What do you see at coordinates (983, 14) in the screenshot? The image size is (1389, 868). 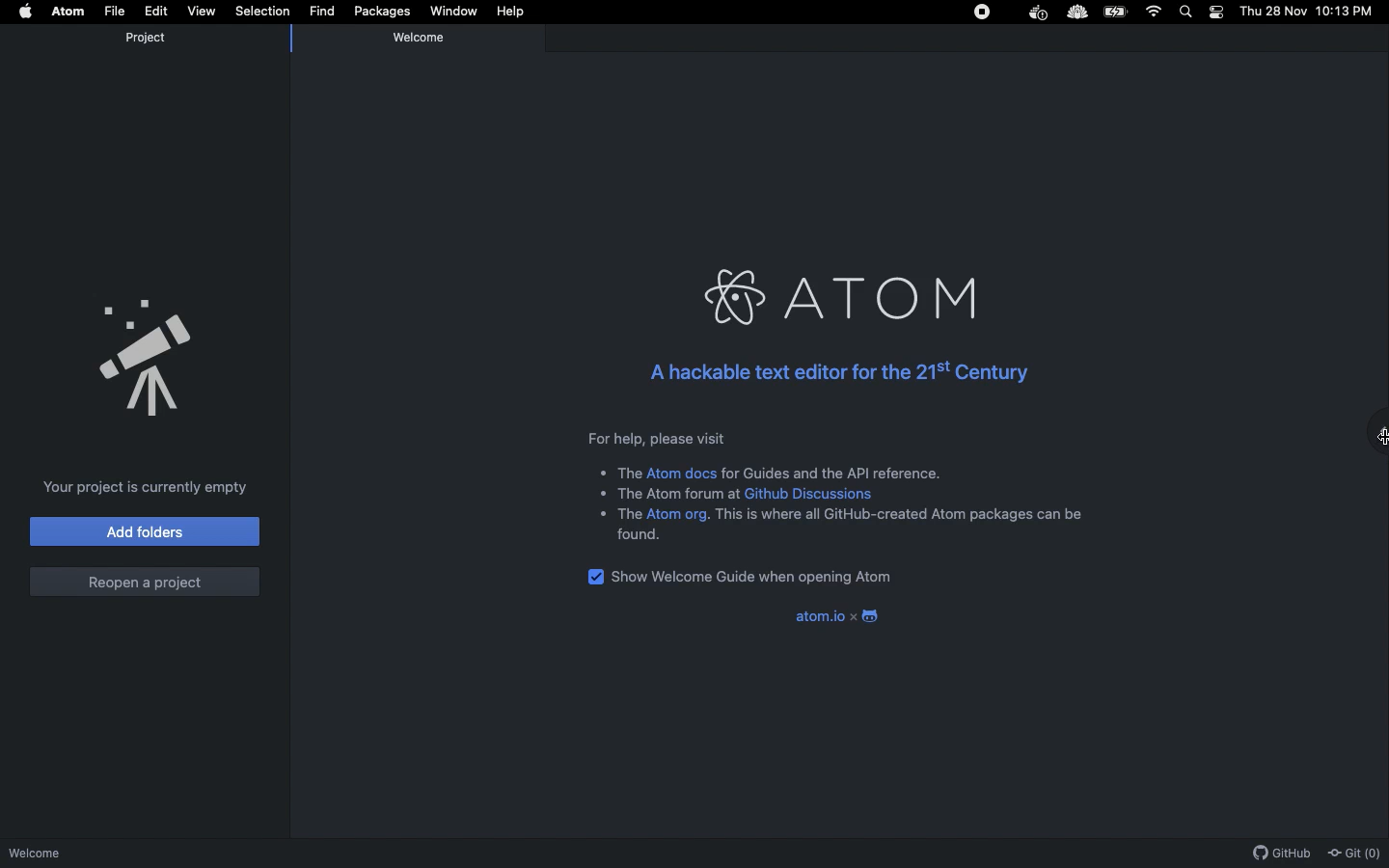 I see `Stop icon` at bounding box center [983, 14].